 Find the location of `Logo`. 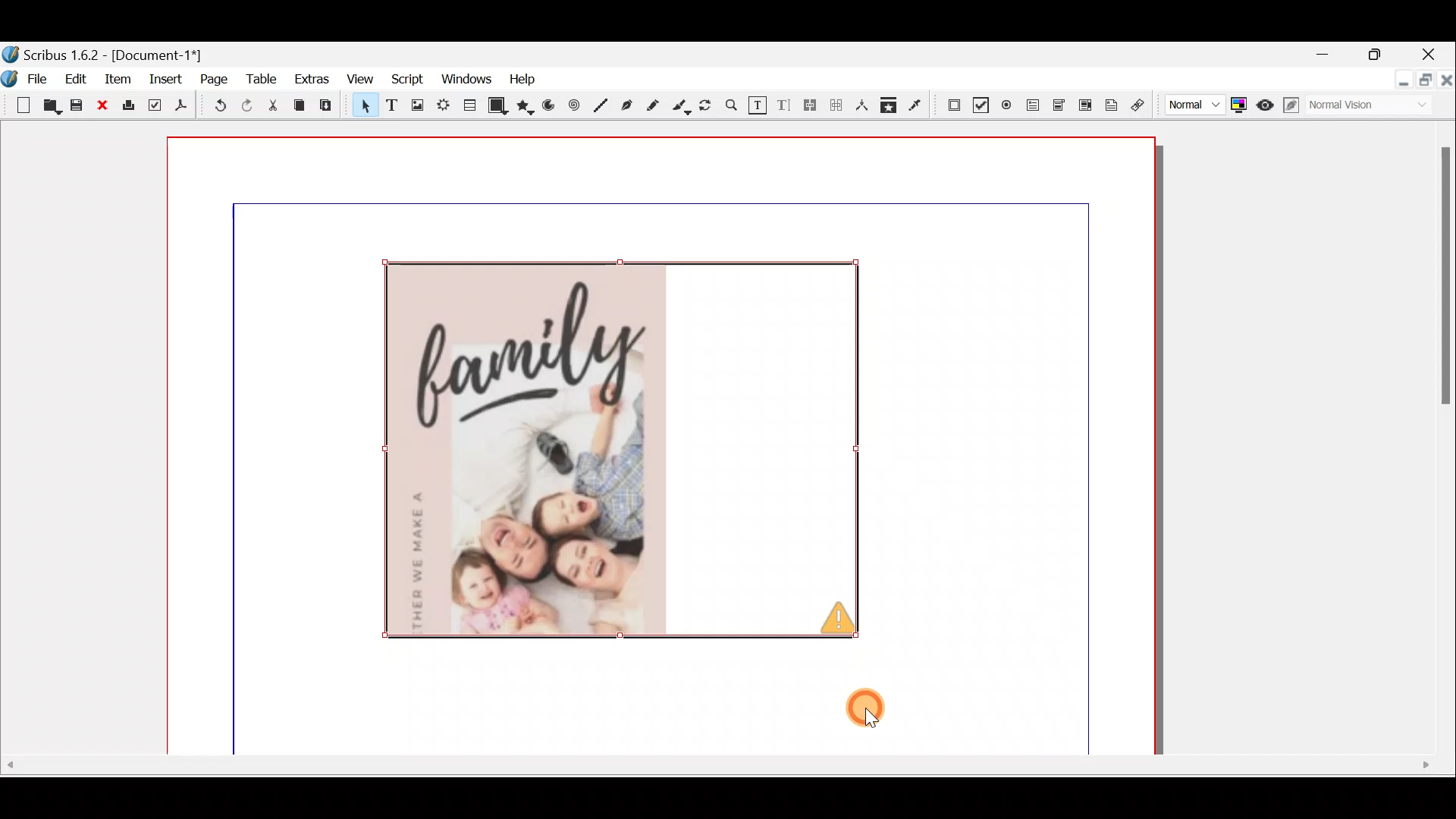

Logo is located at coordinates (9, 77).